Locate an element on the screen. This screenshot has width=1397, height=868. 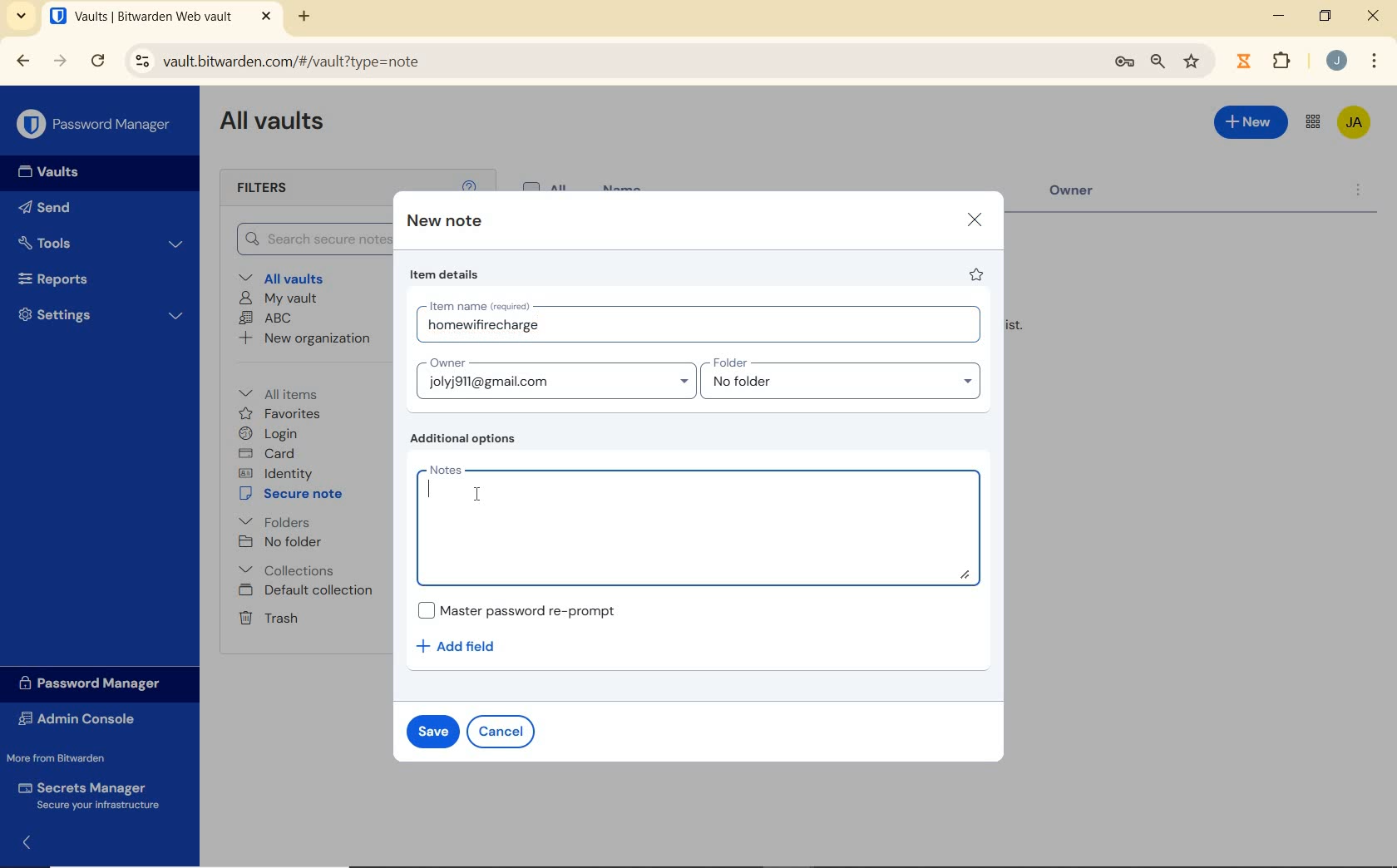
restore is located at coordinates (1325, 16).